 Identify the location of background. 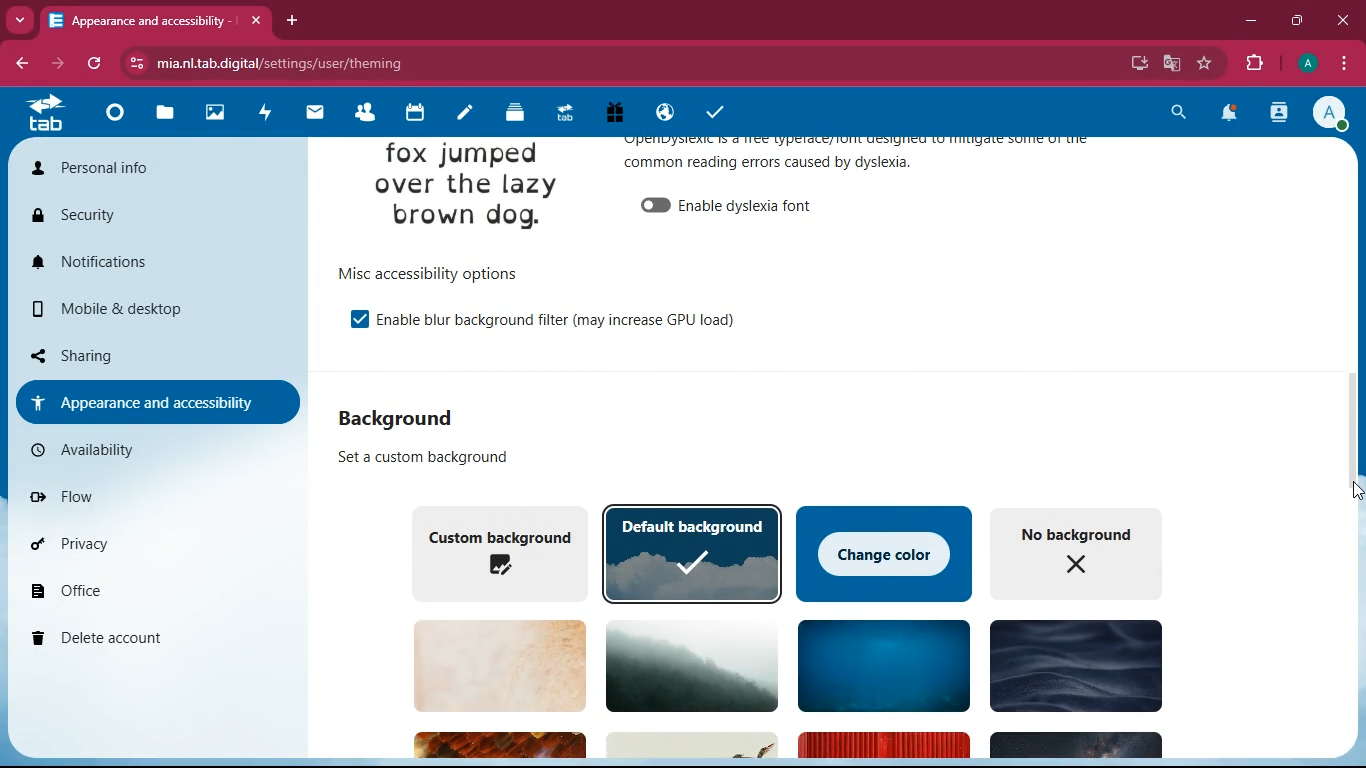
(1073, 665).